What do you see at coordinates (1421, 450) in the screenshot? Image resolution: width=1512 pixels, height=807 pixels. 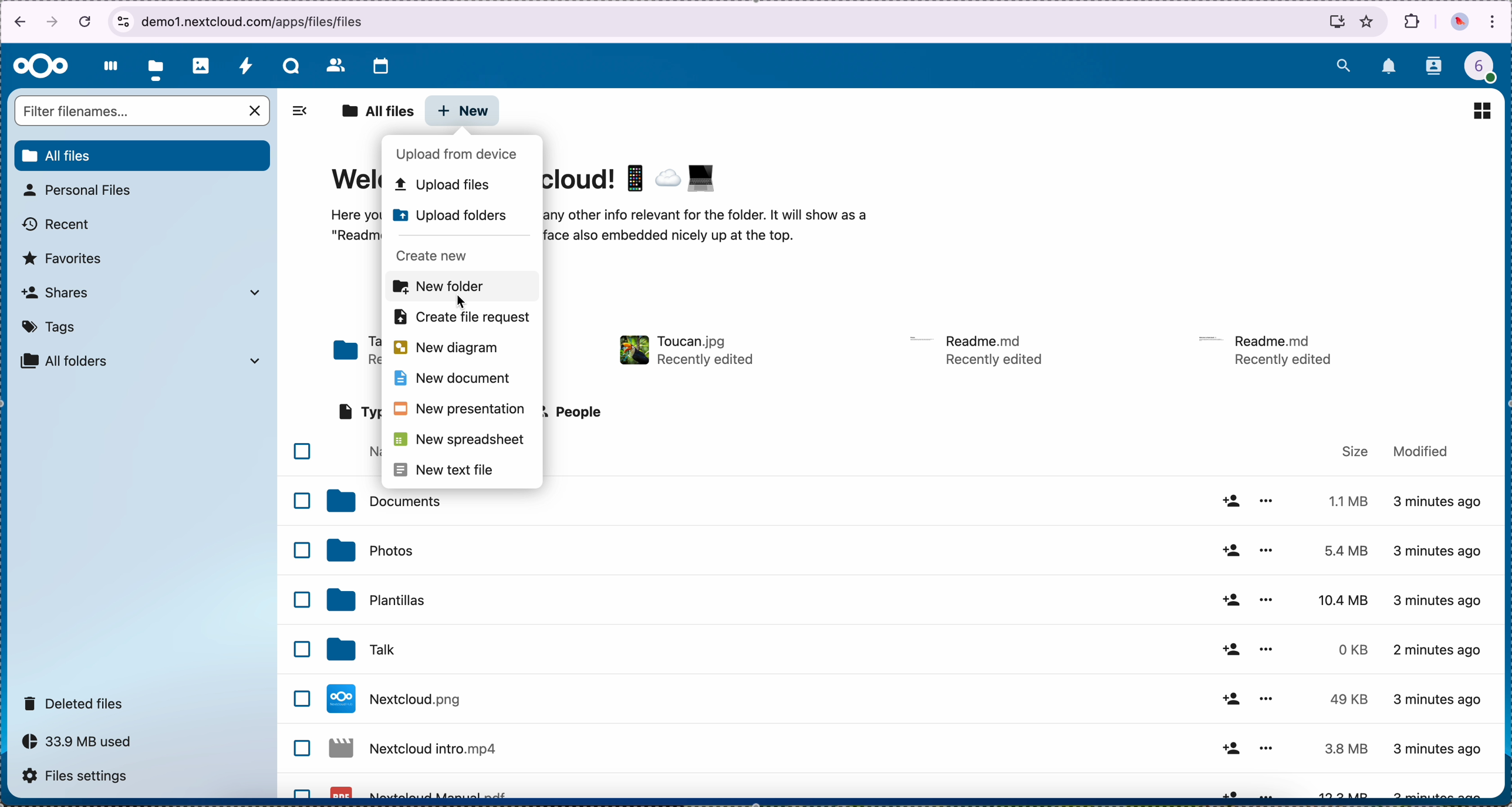 I see `modified` at bounding box center [1421, 450].